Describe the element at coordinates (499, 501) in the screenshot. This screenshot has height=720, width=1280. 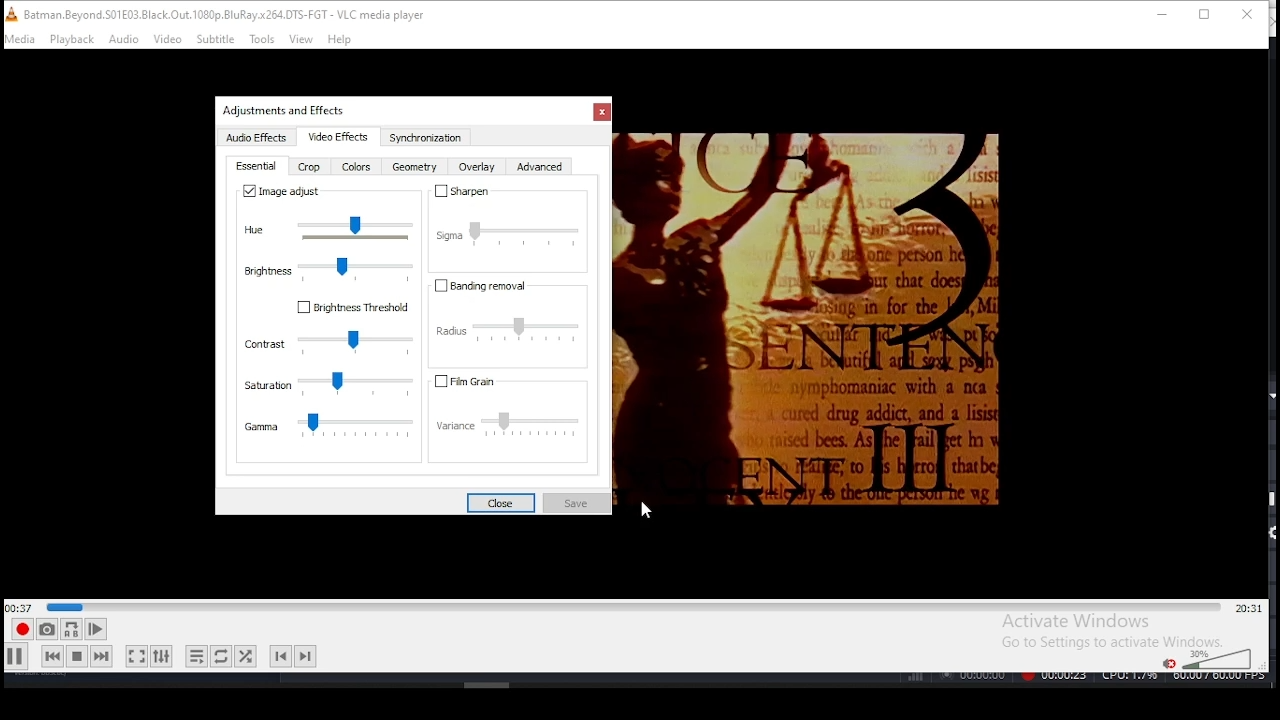
I see `close` at that location.